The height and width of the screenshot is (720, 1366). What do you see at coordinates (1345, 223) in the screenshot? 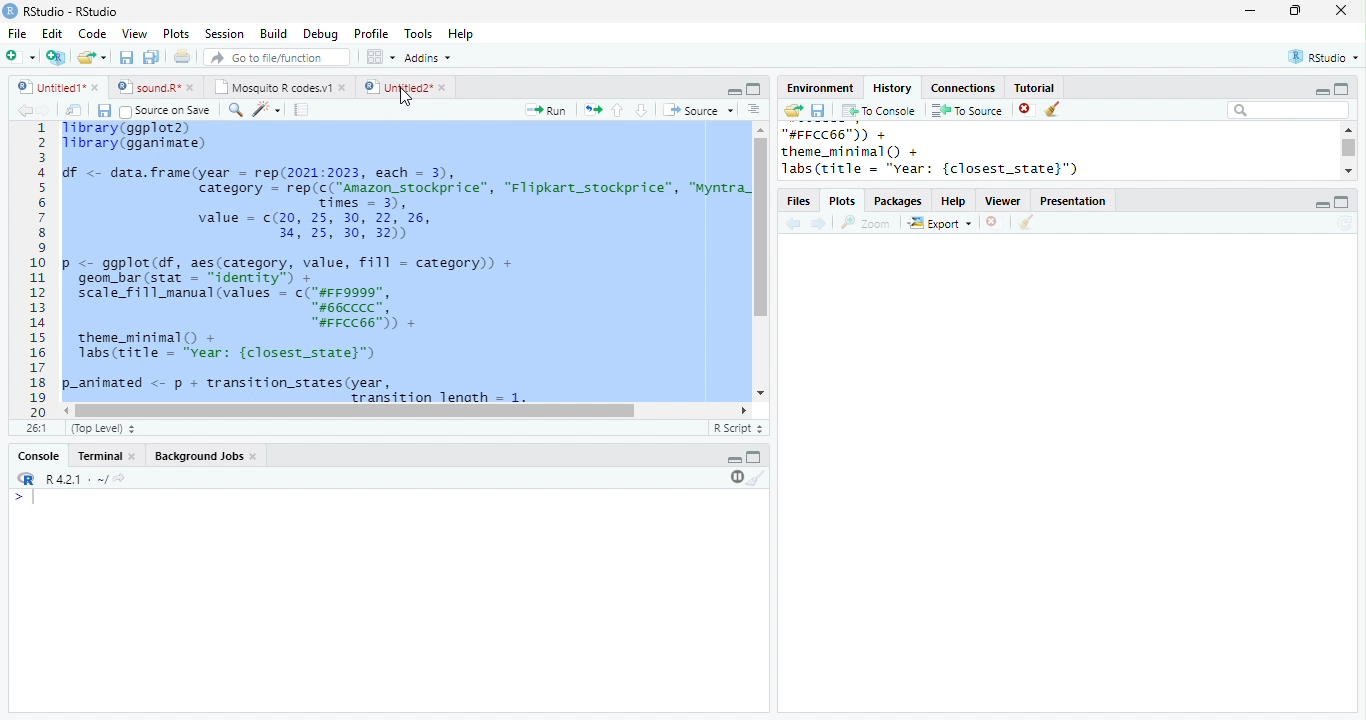
I see `refresh` at bounding box center [1345, 223].